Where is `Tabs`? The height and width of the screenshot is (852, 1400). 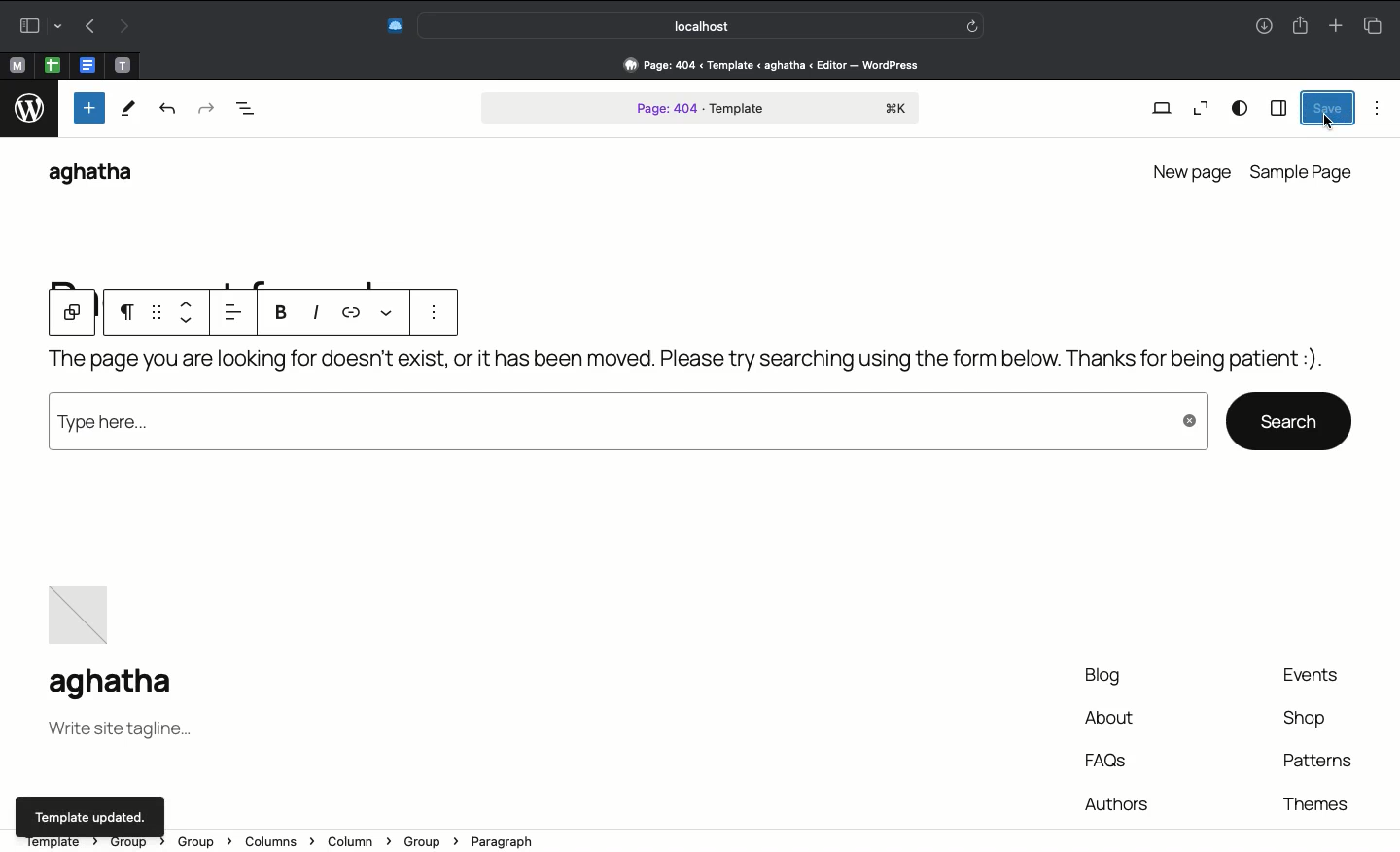
Tabs is located at coordinates (1378, 23).